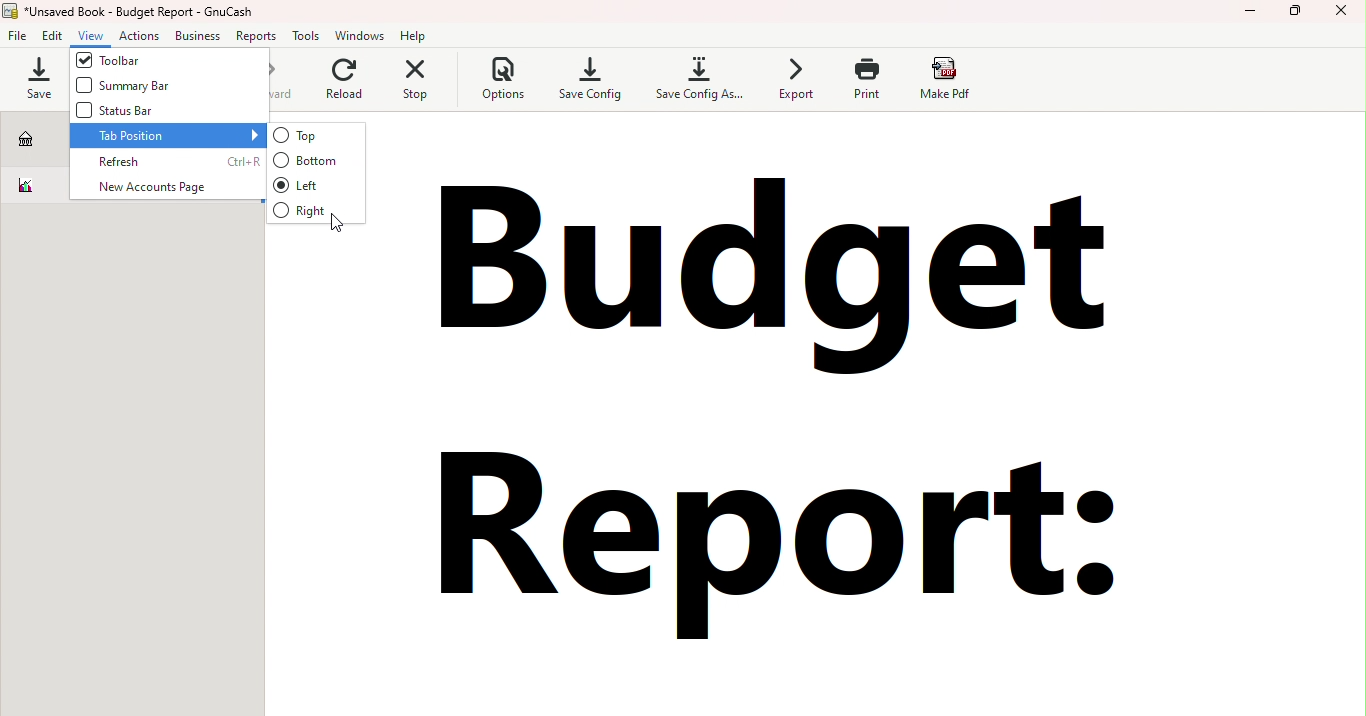 The height and width of the screenshot is (716, 1366). Describe the element at coordinates (429, 86) in the screenshot. I see `Stop` at that location.